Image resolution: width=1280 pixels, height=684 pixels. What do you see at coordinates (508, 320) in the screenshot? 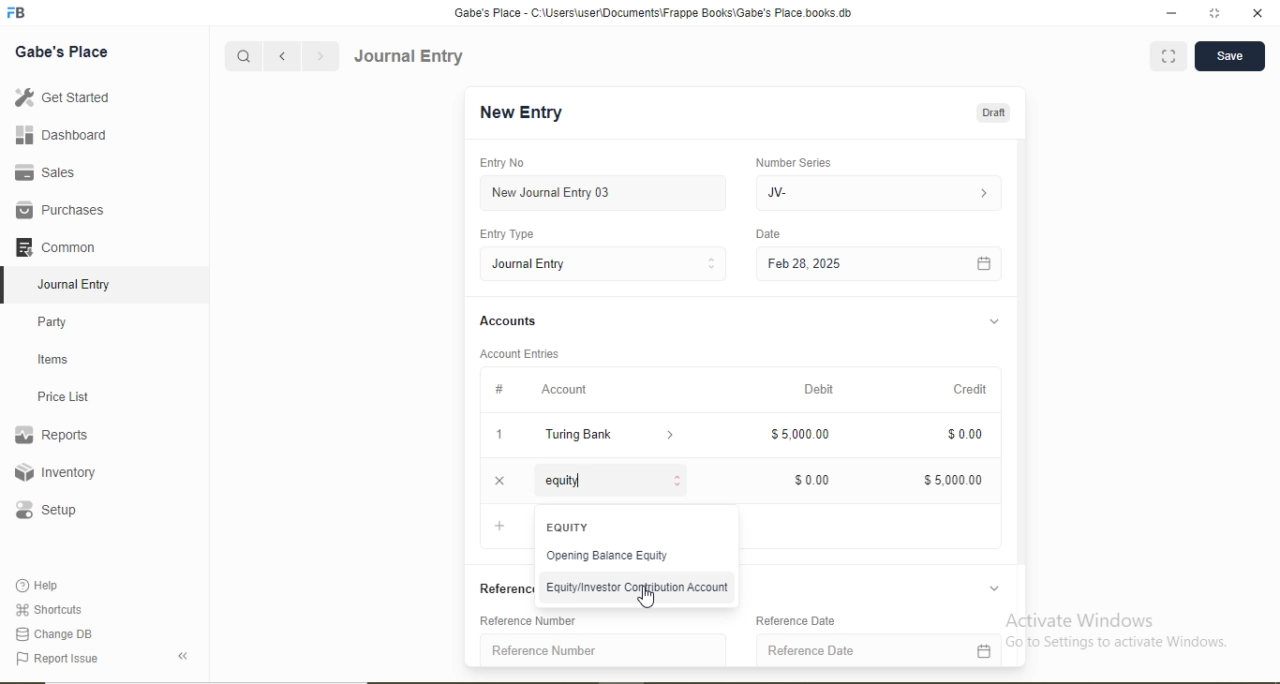
I see `Accounts` at bounding box center [508, 320].